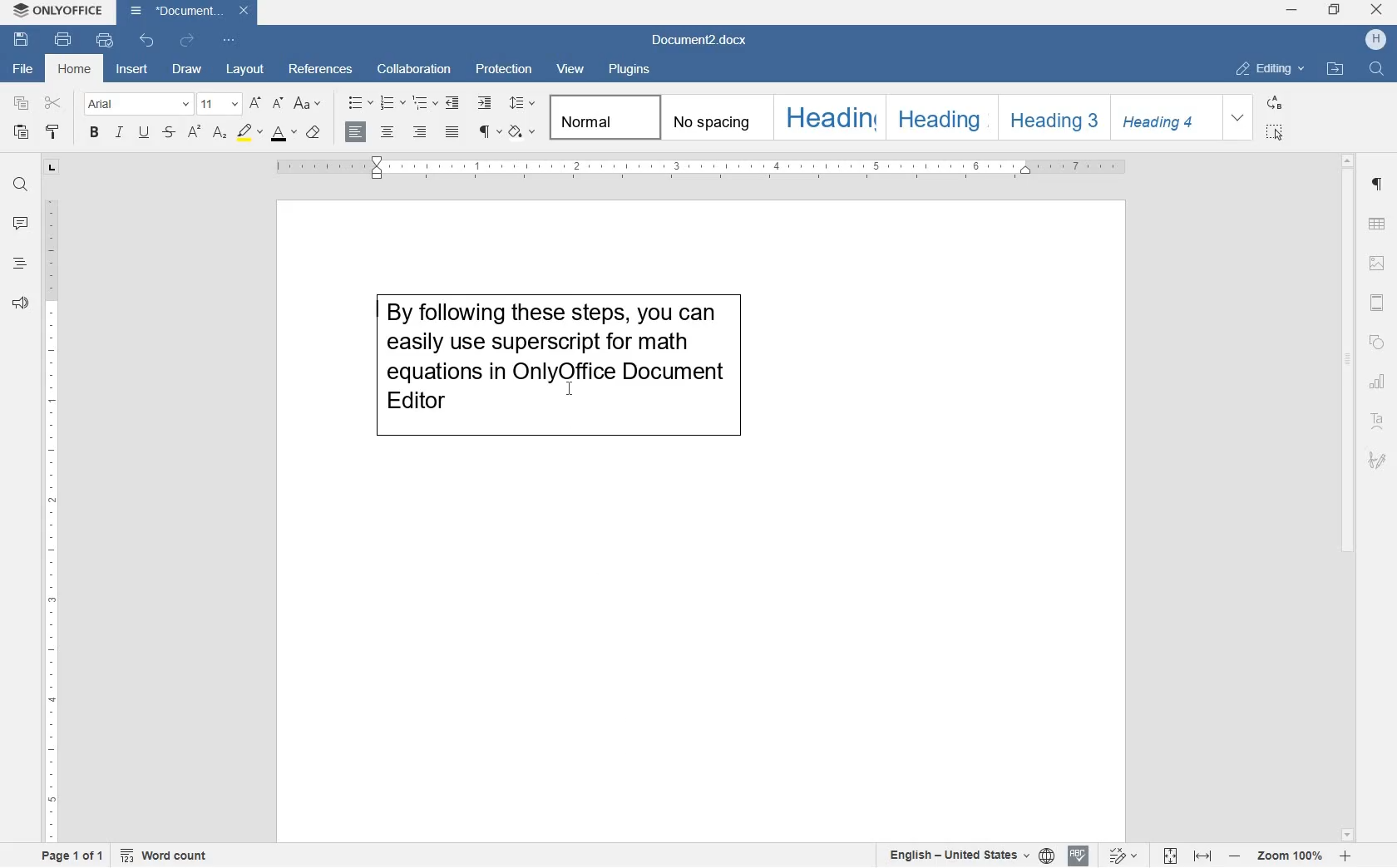  I want to click on Normal, so click(602, 117).